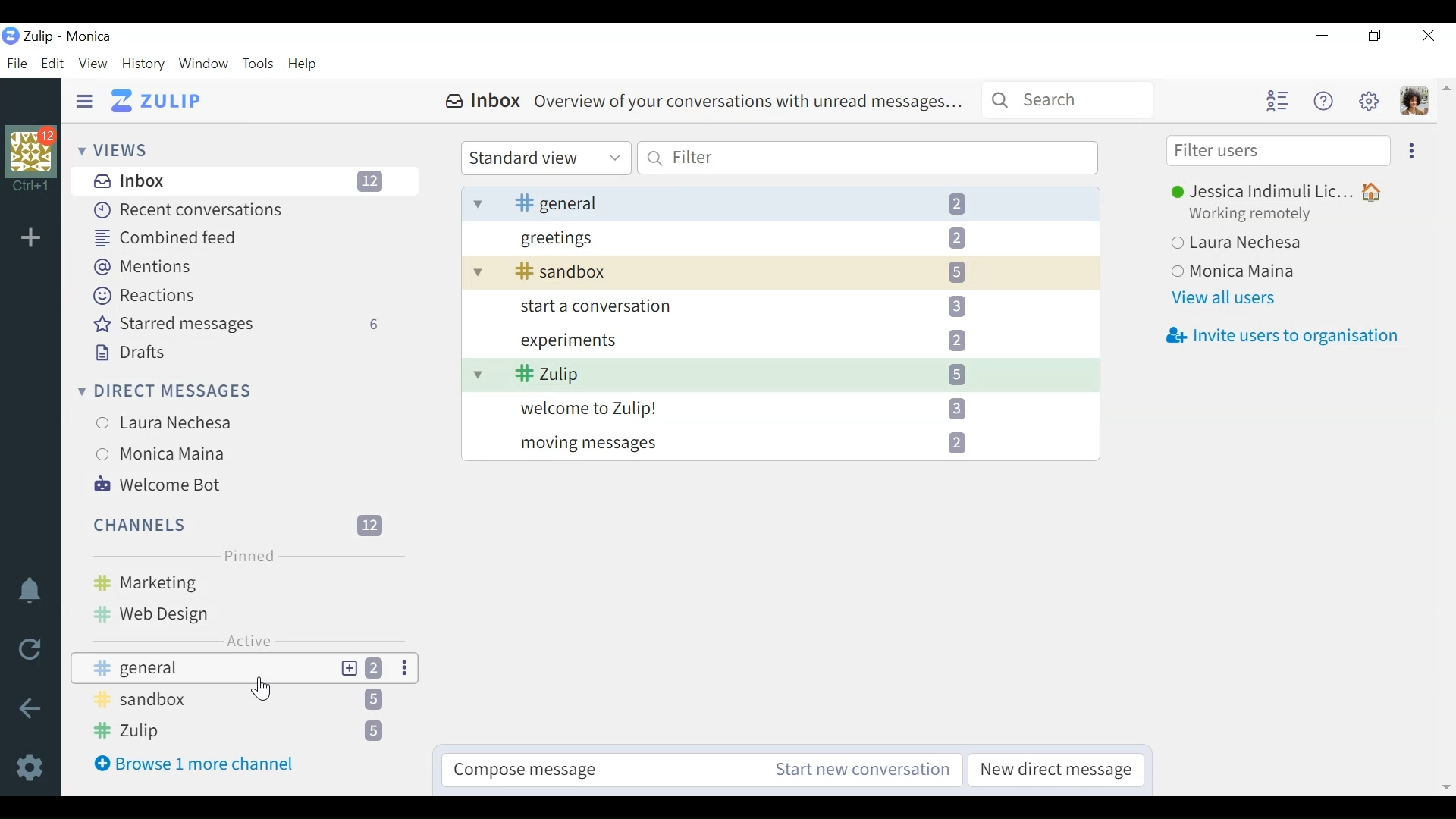  Describe the element at coordinates (234, 453) in the screenshot. I see `Monica Maina` at that location.